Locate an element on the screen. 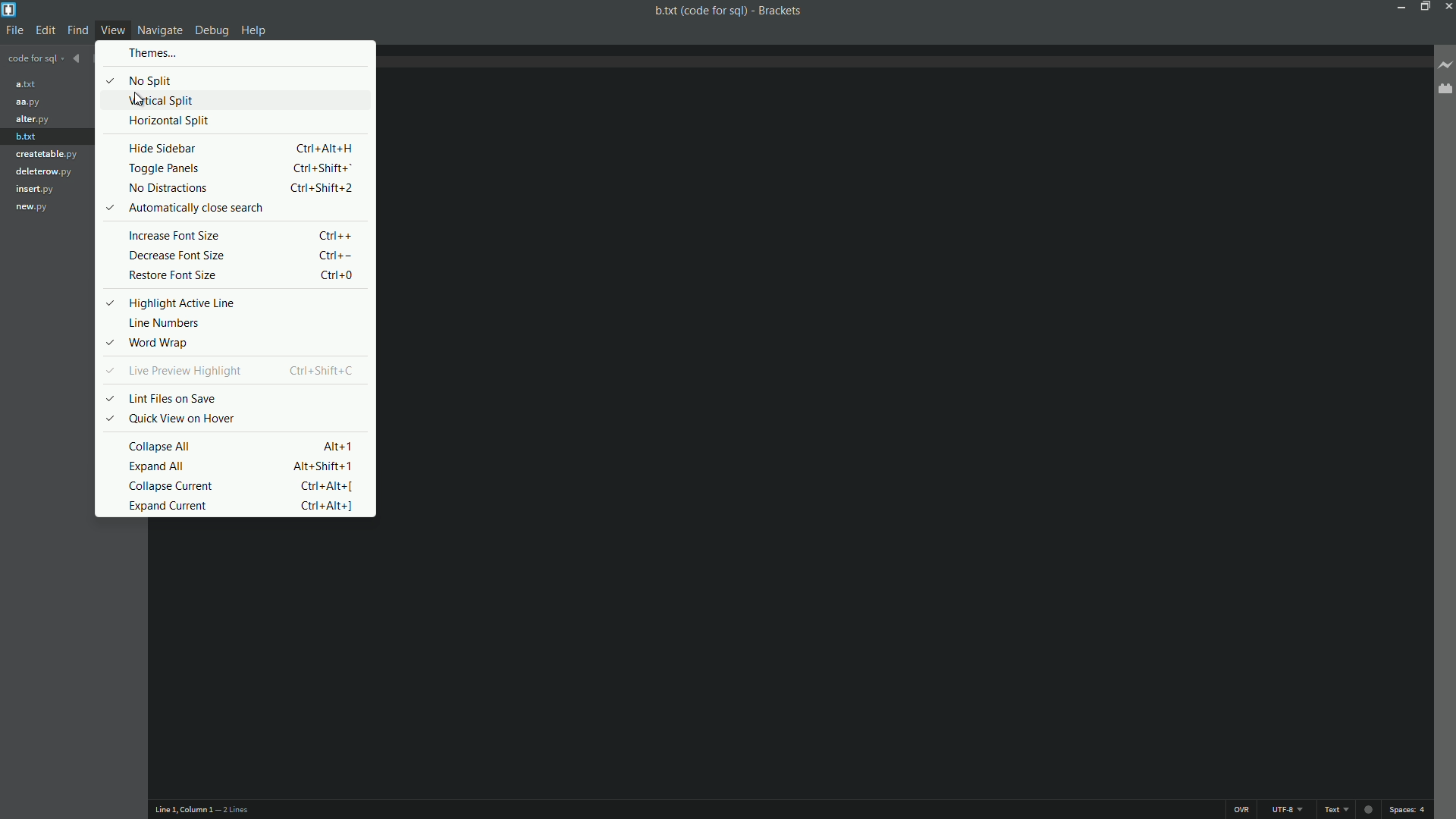 The width and height of the screenshot is (1456, 819). hide sidebar is located at coordinates (243, 149).